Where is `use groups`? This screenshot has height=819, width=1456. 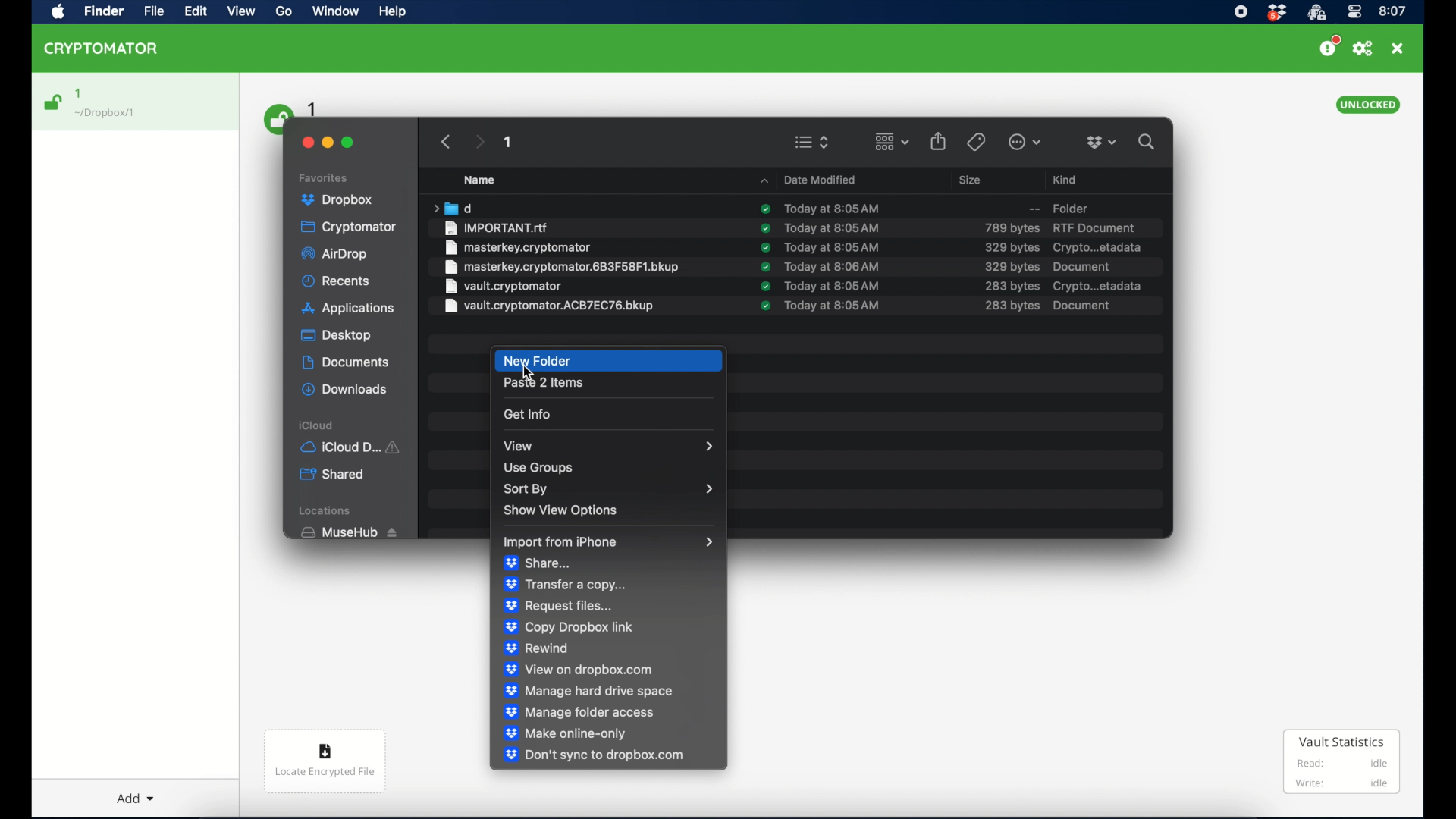
use groups is located at coordinates (538, 467).